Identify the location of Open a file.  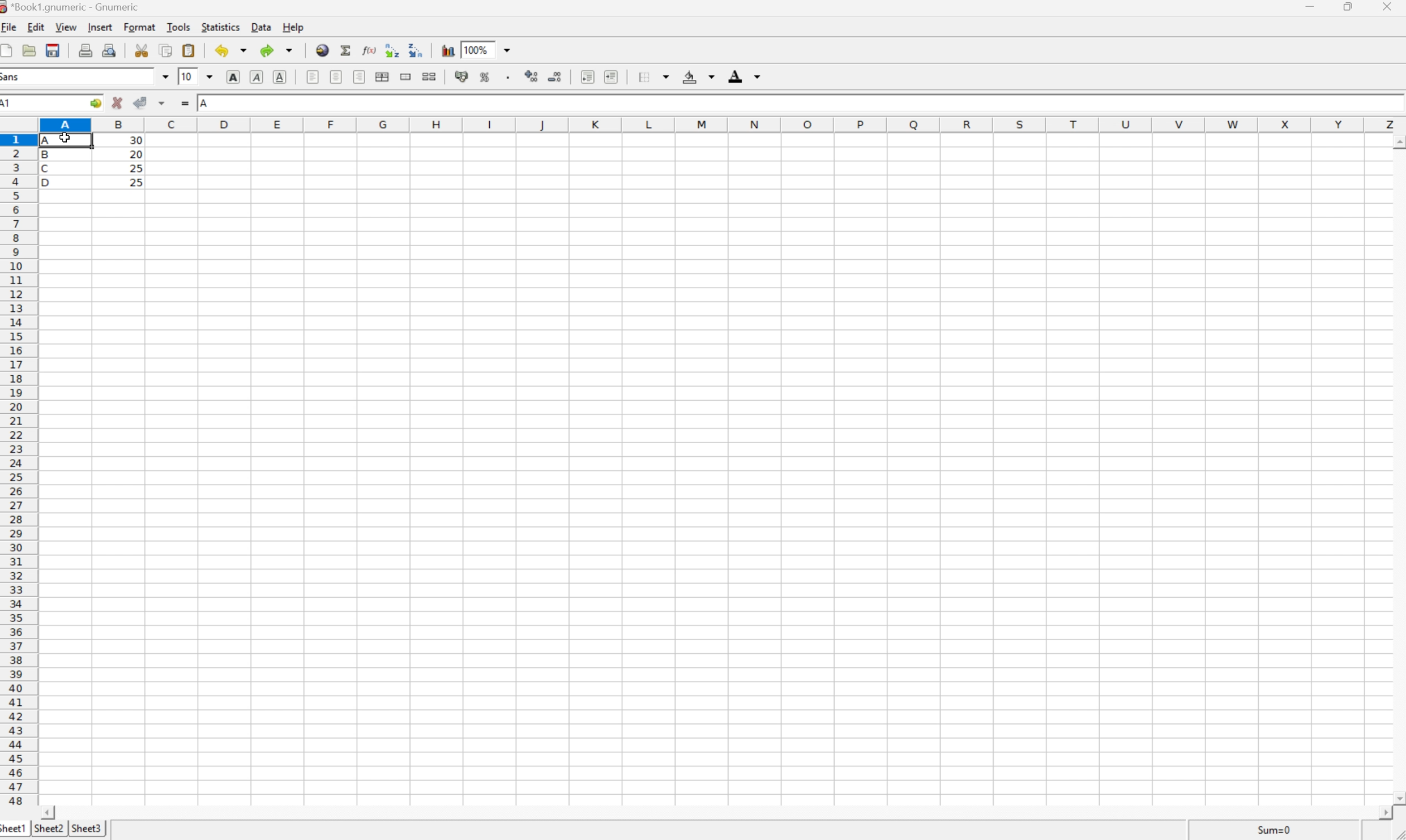
(29, 50).